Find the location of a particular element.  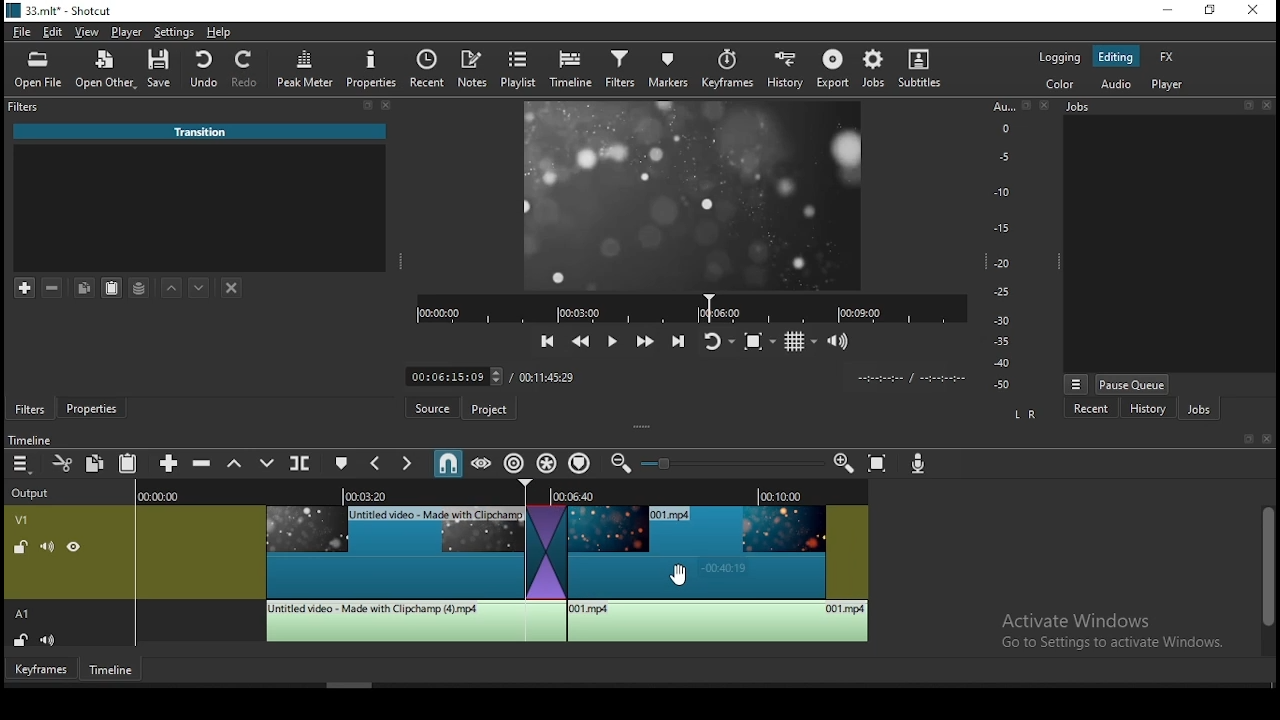

peak meter is located at coordinates (304, 68).